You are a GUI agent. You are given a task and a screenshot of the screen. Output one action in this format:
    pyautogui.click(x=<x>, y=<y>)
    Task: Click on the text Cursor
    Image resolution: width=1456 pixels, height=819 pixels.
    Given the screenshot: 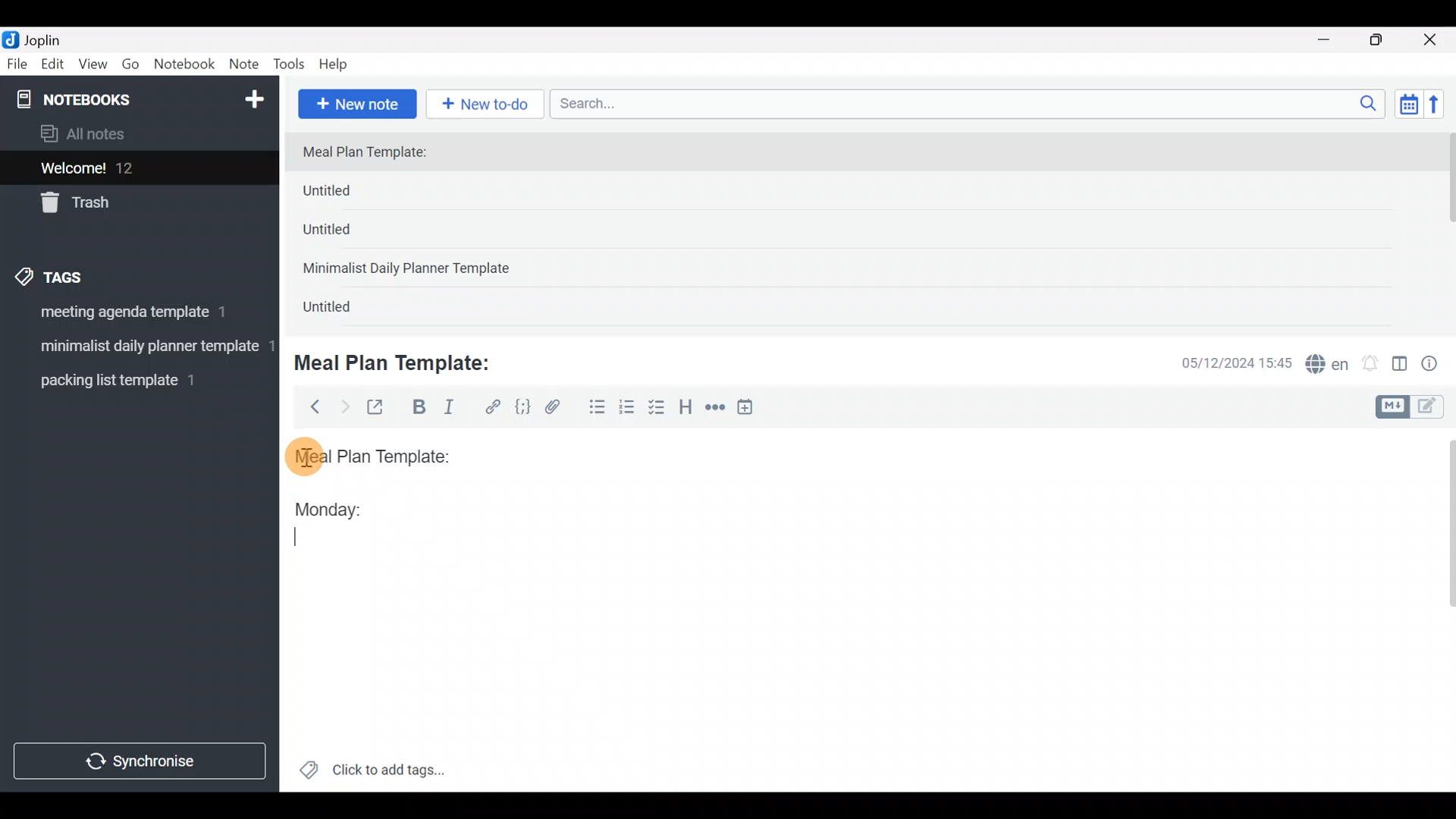 What is the action you would take?
    pyautogui.click(x=313, y=538)
    